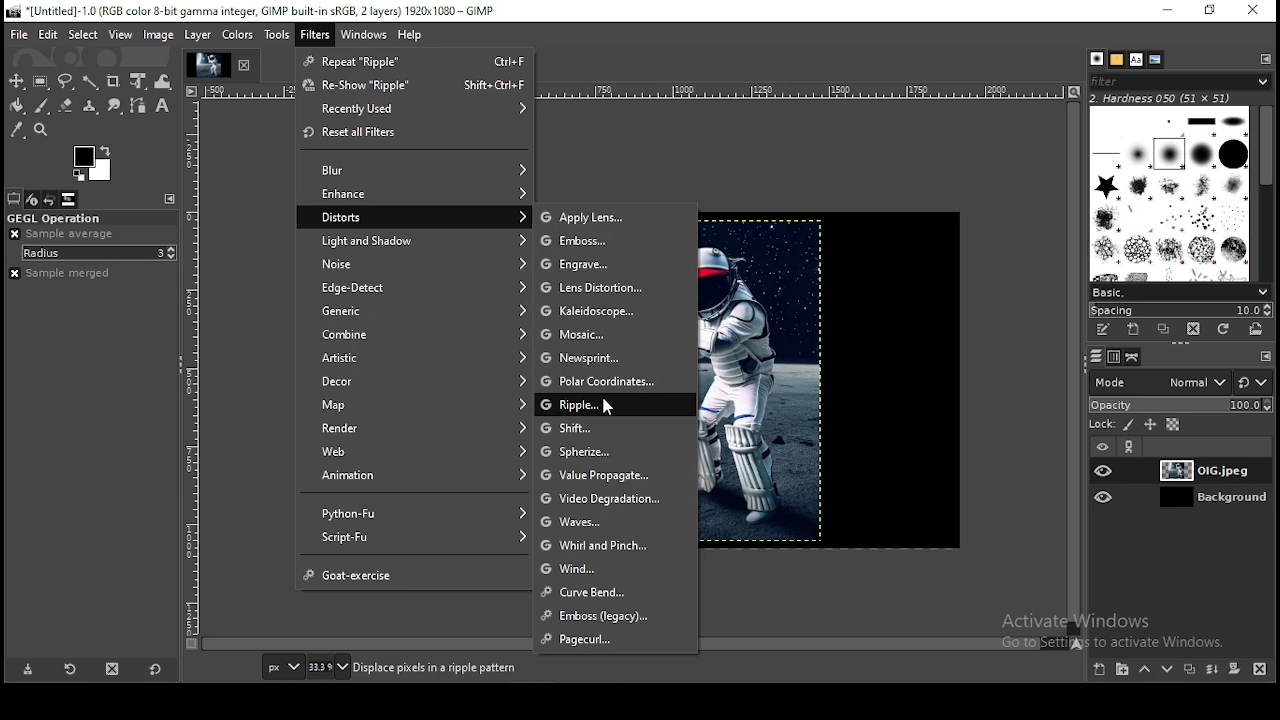 The image size is (1280, 720). I want to click on hardness, so click(1175, 98).